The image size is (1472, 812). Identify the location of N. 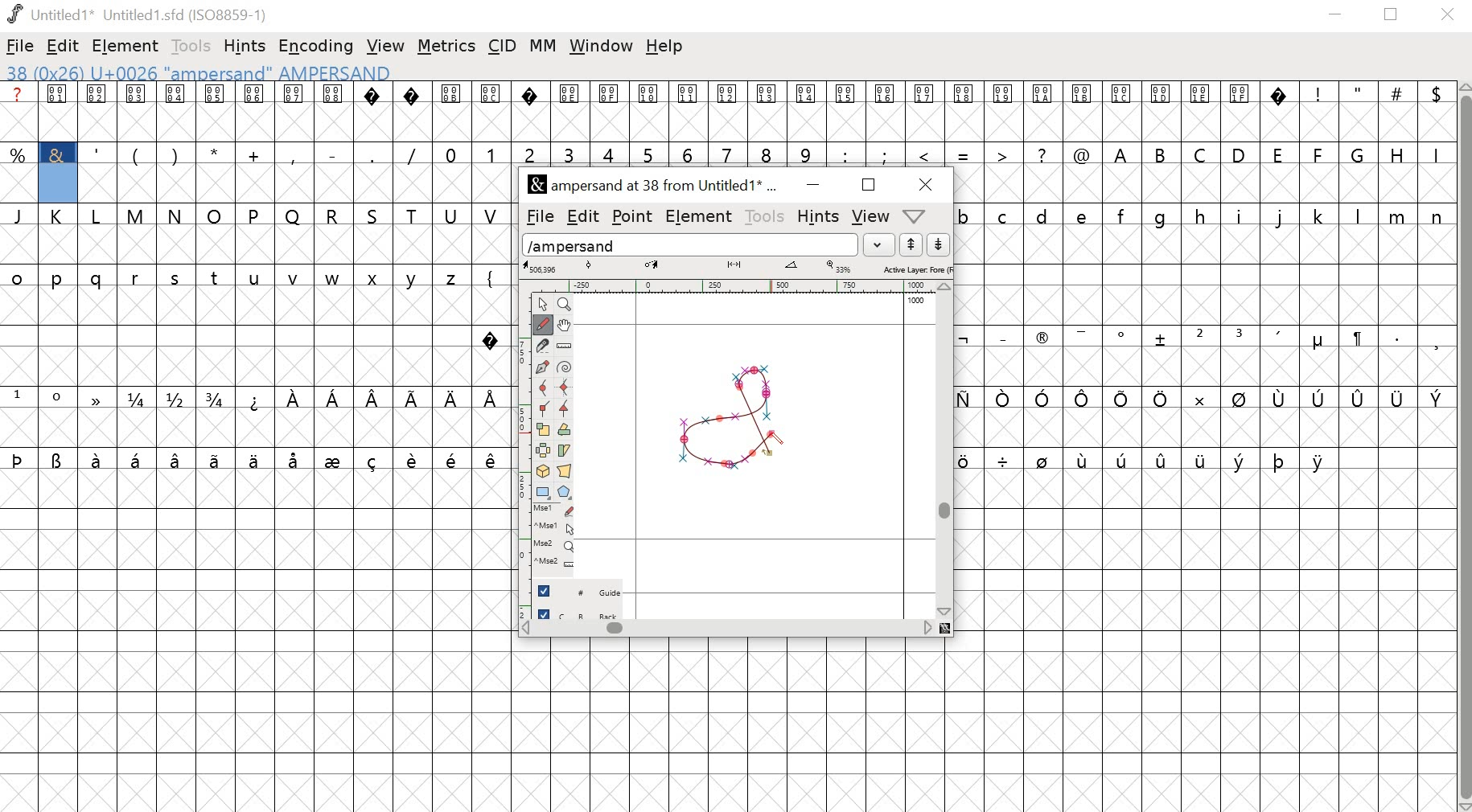
(176, 215).